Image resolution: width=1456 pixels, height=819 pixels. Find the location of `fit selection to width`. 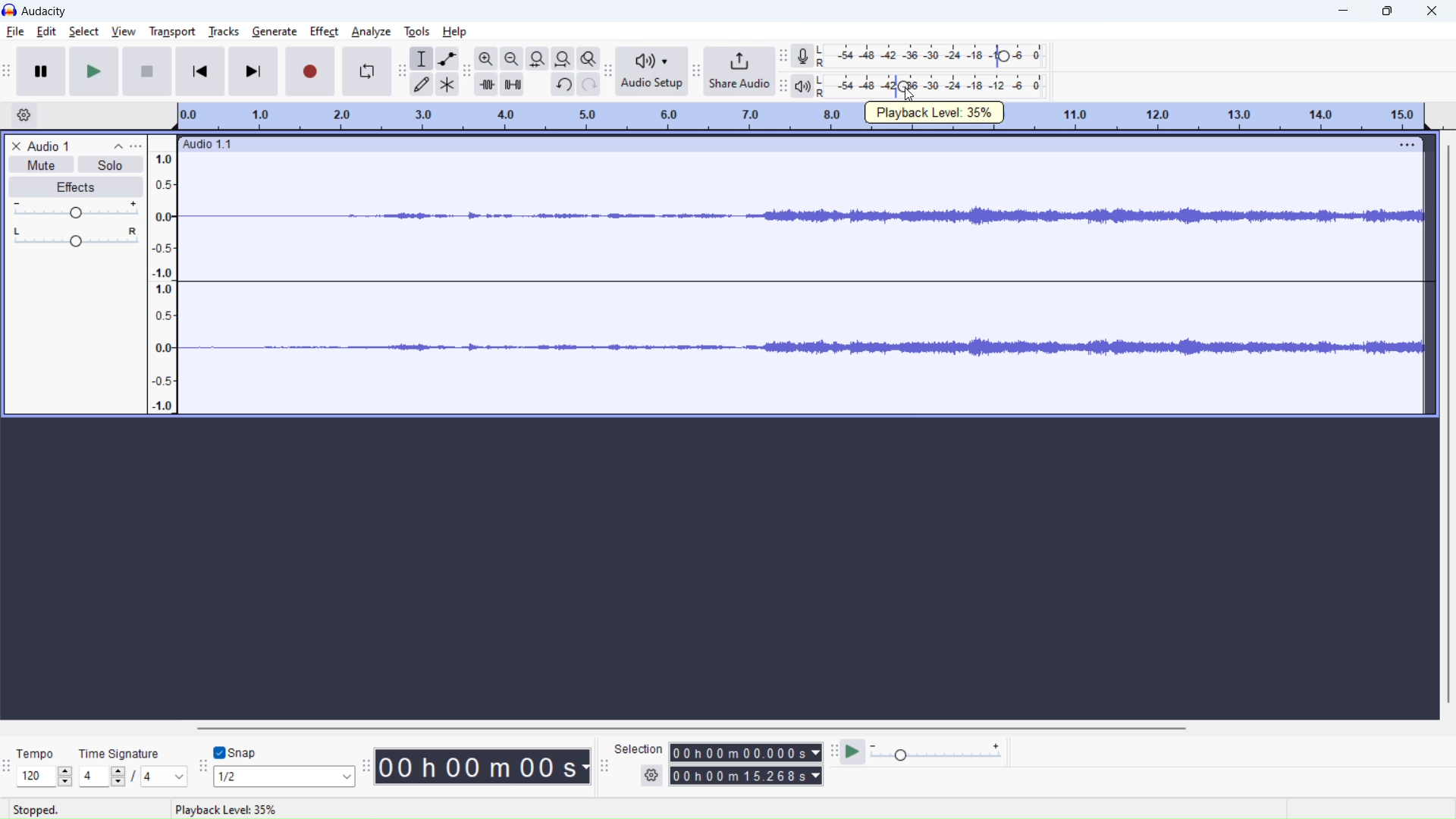

fit selection to width is located at coordinates (537, 58).